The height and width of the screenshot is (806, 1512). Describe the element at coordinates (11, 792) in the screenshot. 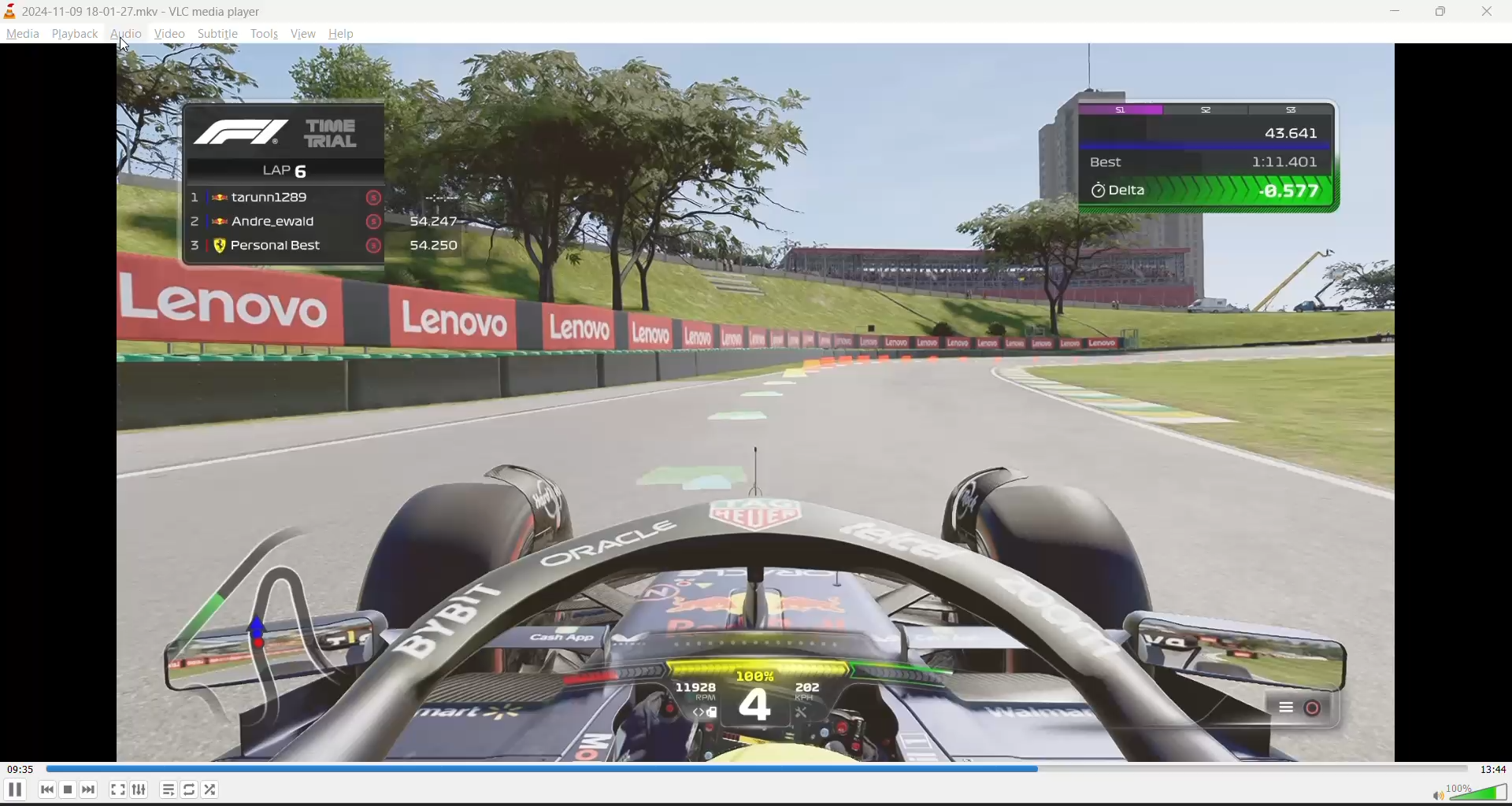

I see `pause` at that location.